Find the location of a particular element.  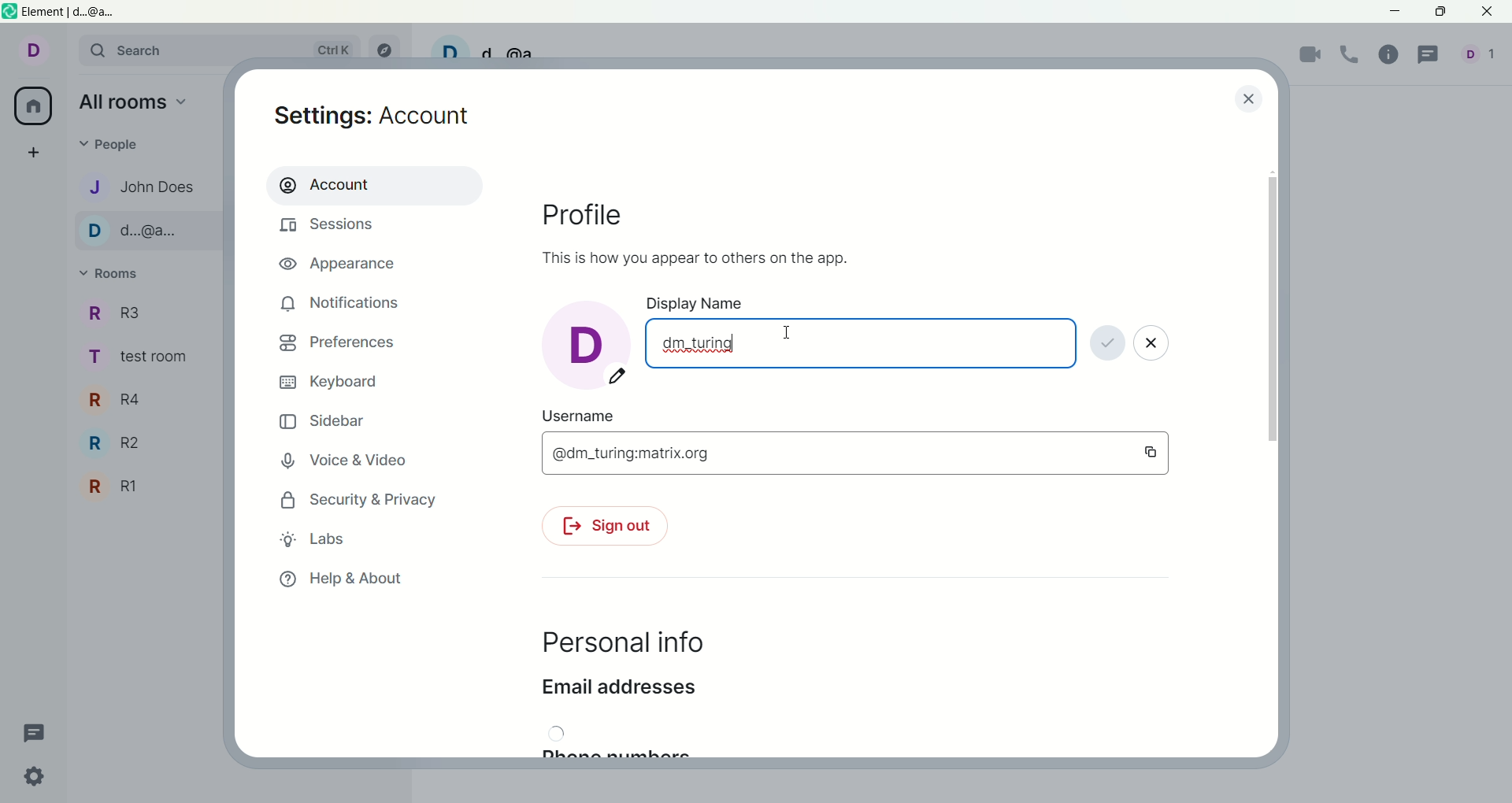

sign out is located at coordinates (602, 528).